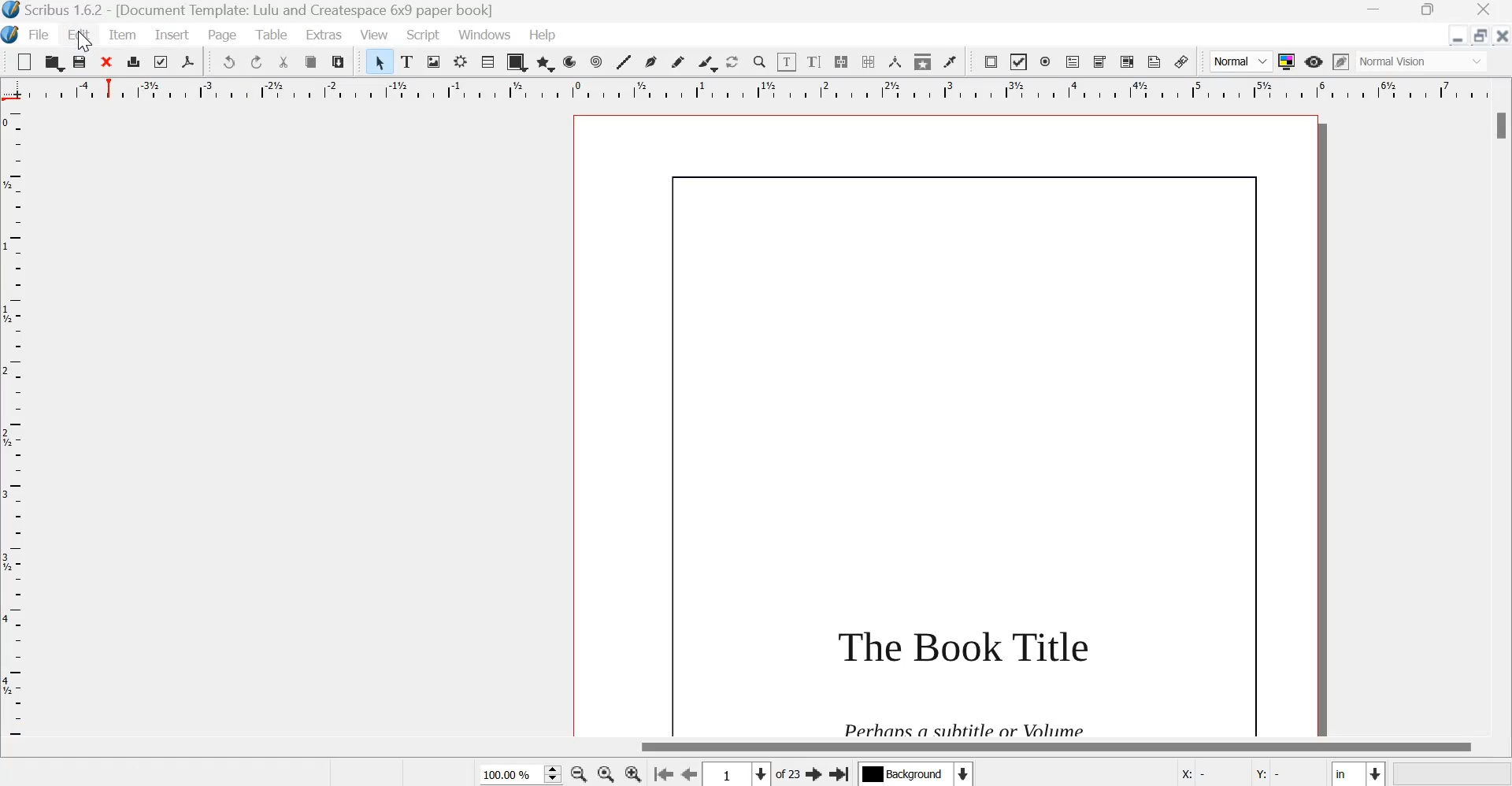  I want to click on Item, so click(124, 34).